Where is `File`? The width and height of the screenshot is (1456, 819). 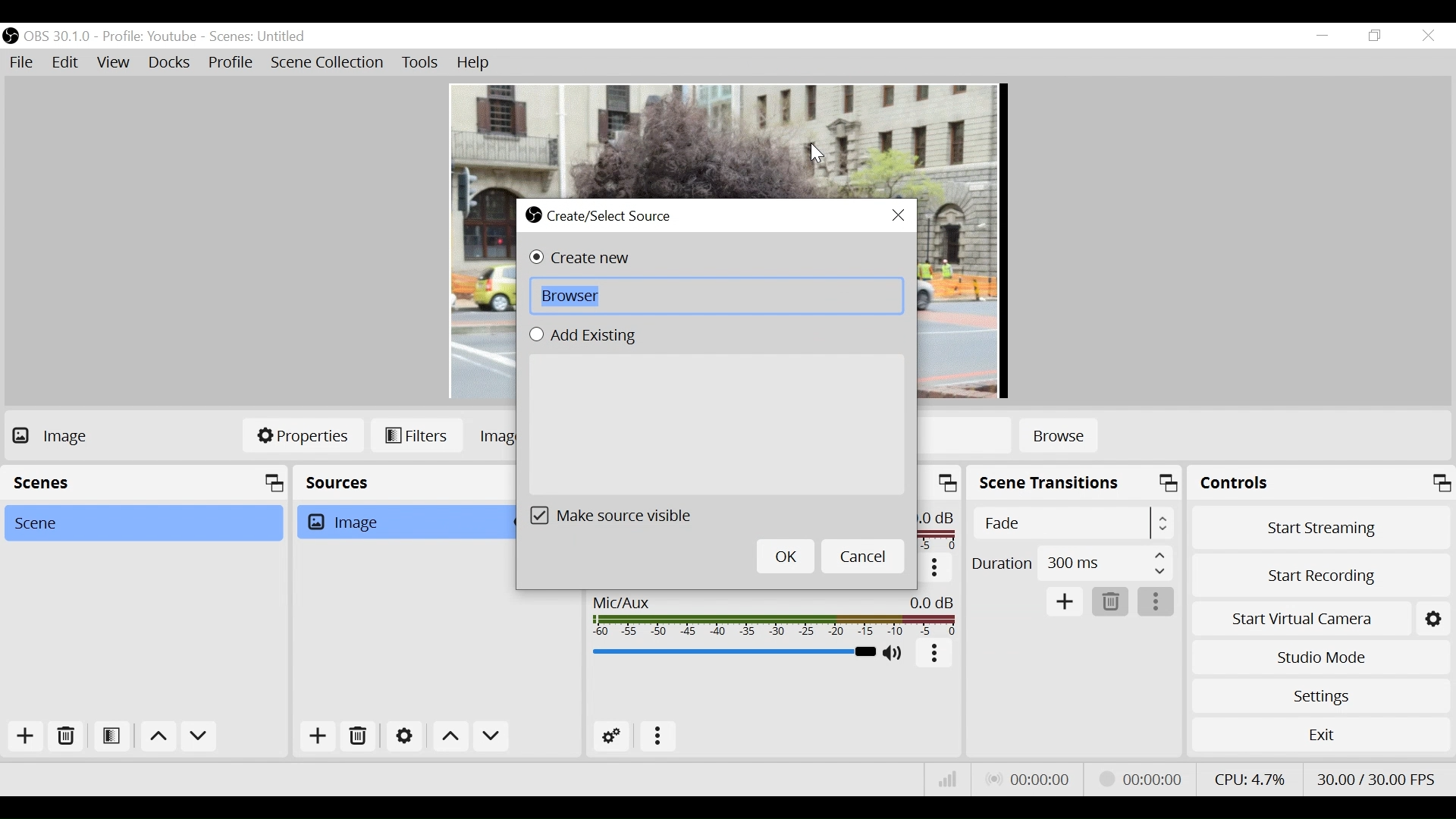
File is located at coordinates (21, 64).